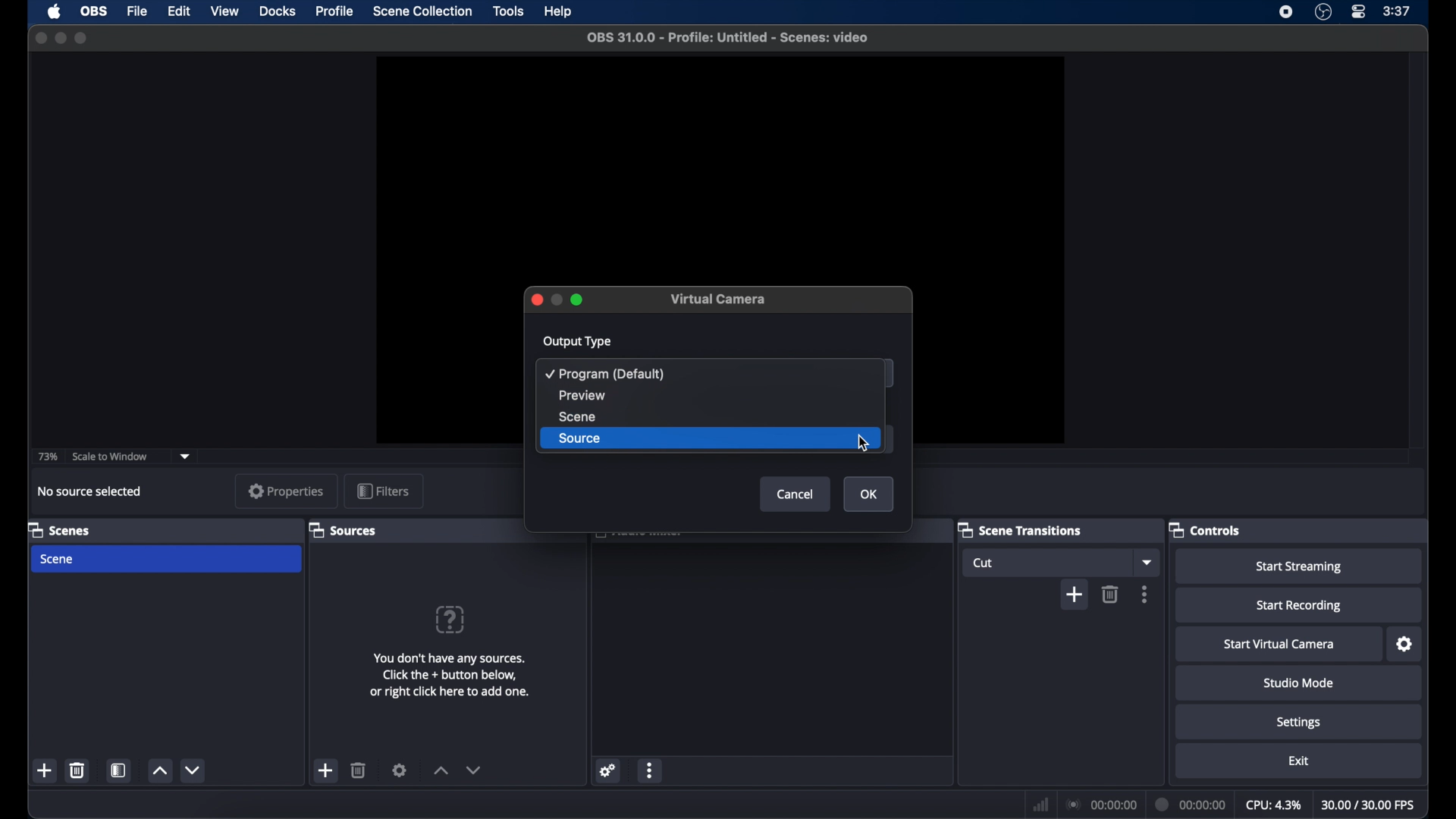 The height and width of the screenshot is (819, 1456). I want to click on exit, so click(1298, 761).